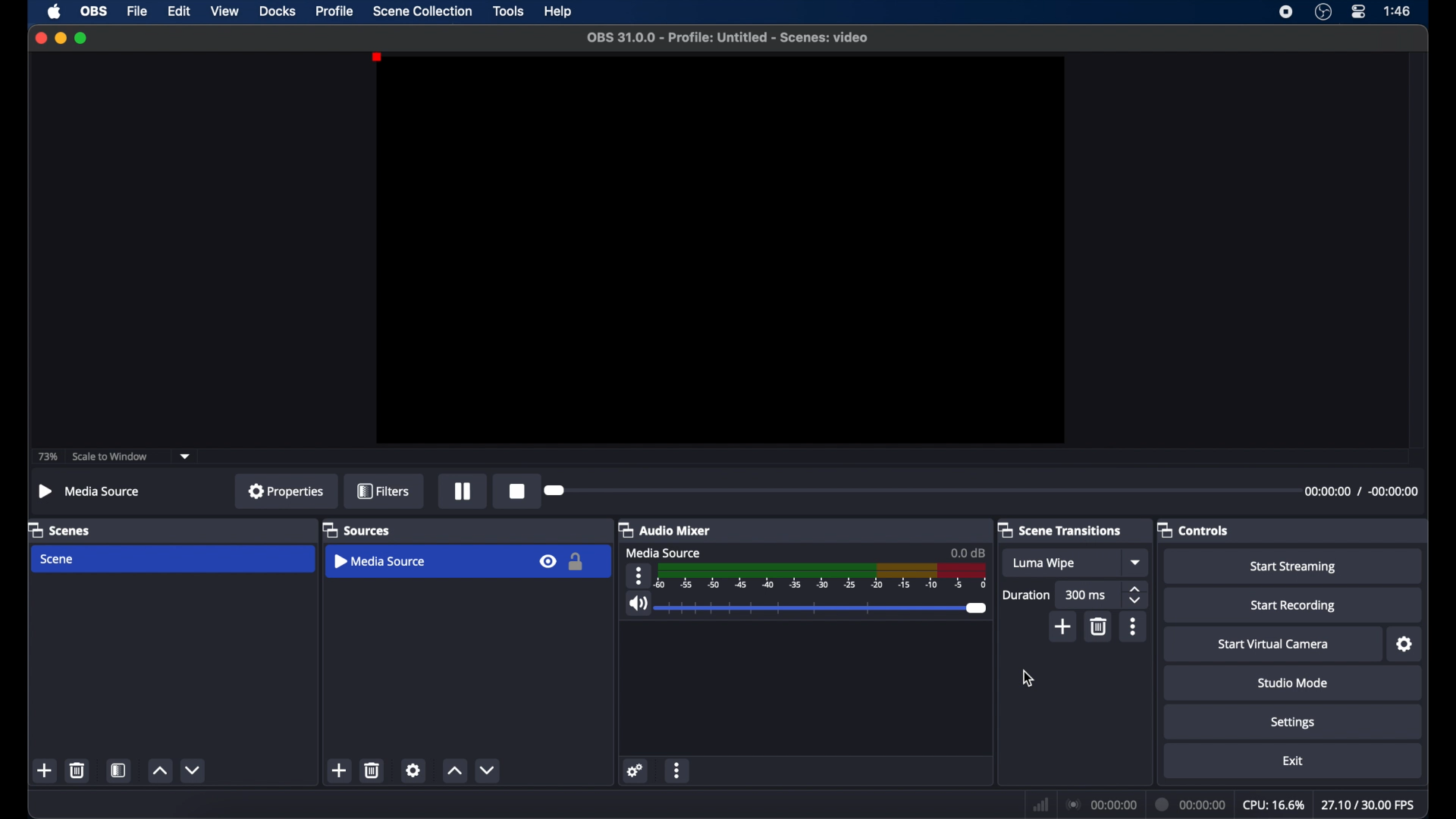  Describe the element at coordinates (1286, 12) in the screenshot. I see `screen recorder icon` at that location.